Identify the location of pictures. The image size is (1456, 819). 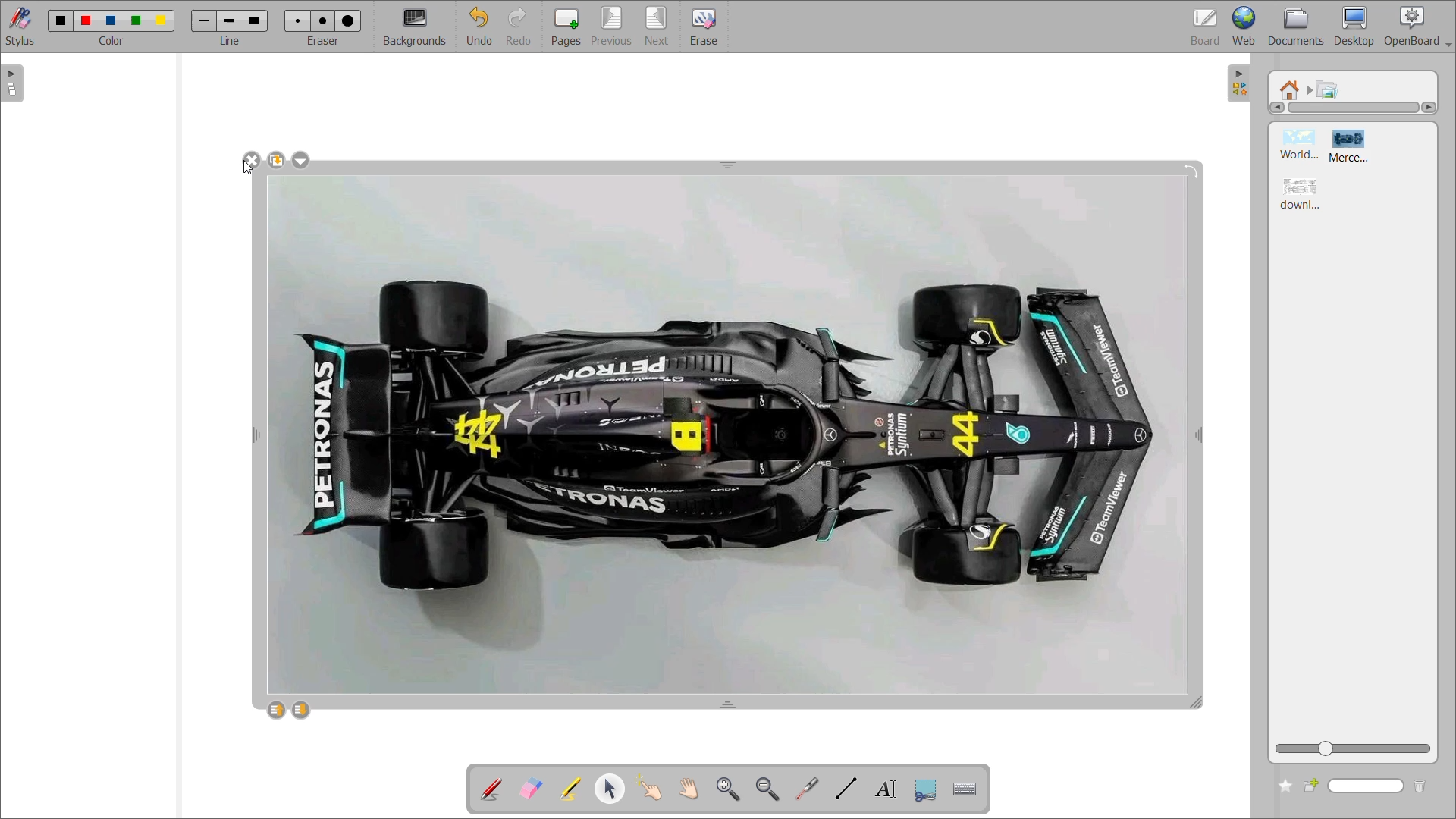
(1330, 89).